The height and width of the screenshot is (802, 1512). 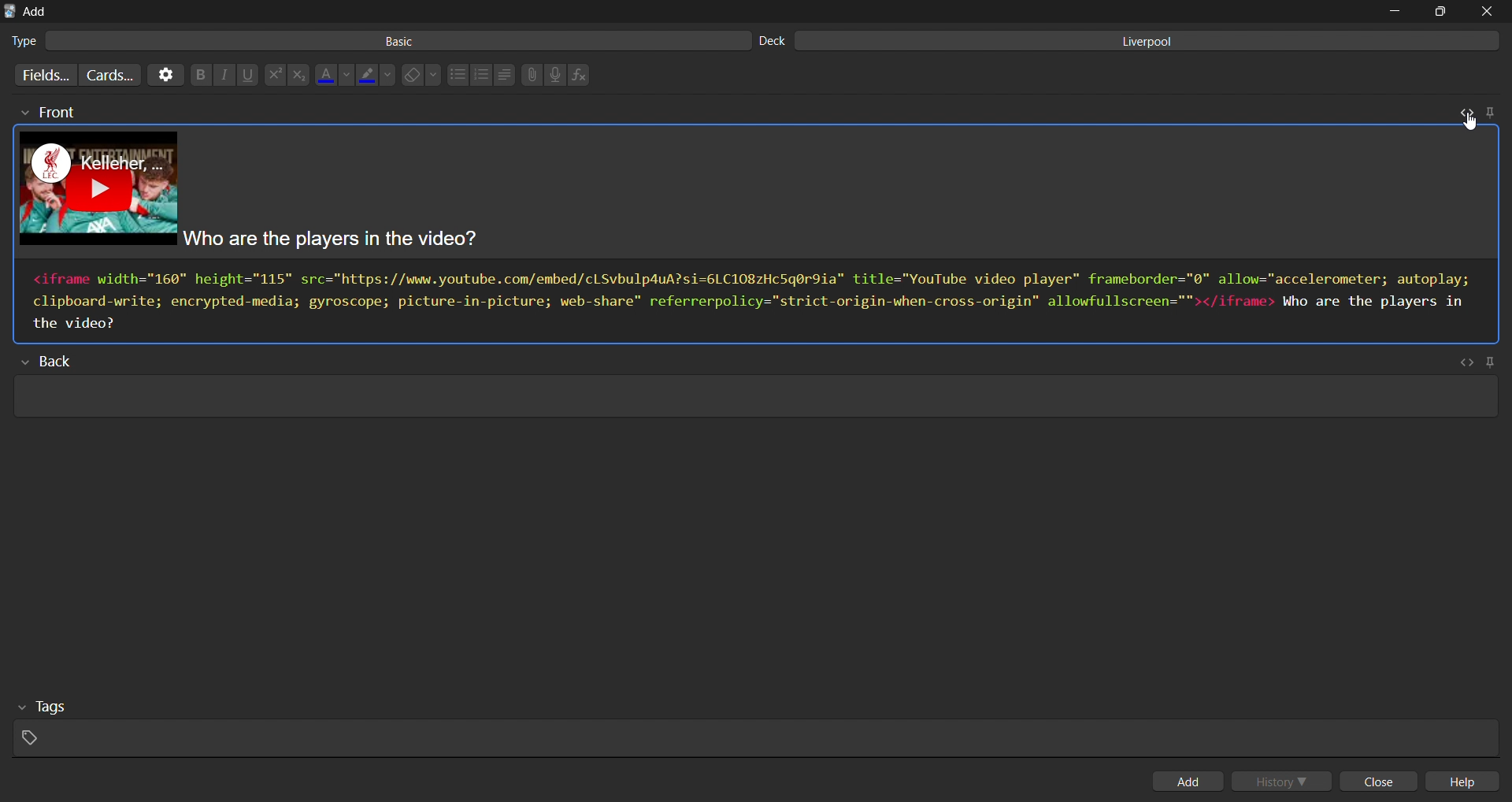 I want to click on font color, so click(x=335, y=72).